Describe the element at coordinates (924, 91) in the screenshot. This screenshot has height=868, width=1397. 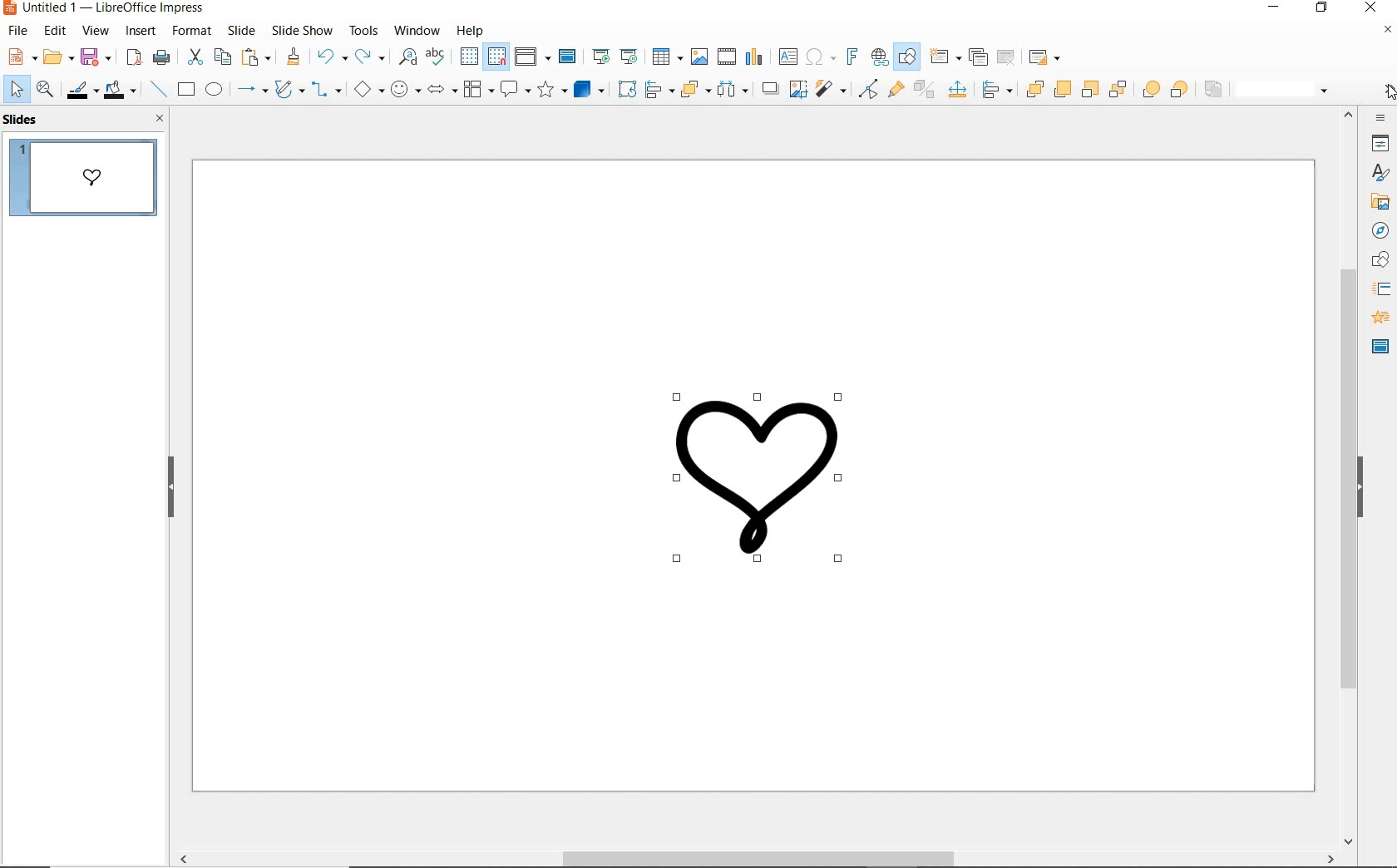
I see `toggle extrusion` at that location.